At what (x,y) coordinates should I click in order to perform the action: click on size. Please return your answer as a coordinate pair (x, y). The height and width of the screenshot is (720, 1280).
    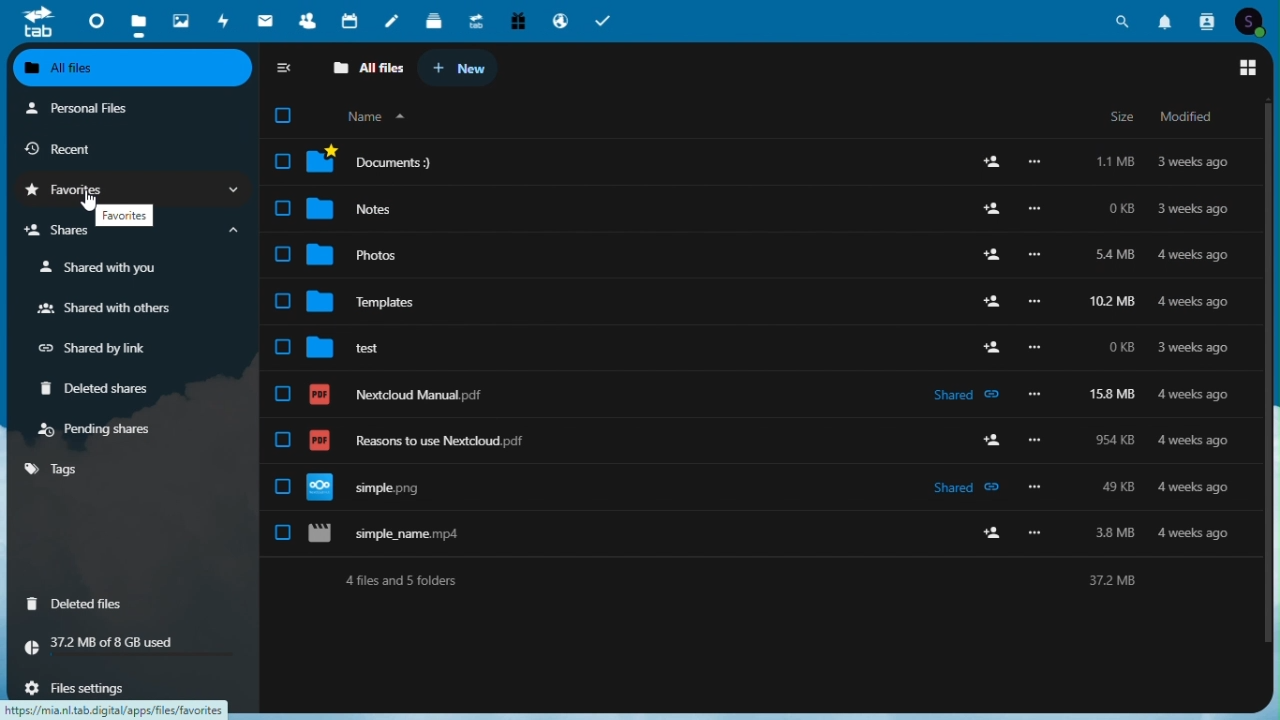
    Looking at the image, I should click on (1122, 115).